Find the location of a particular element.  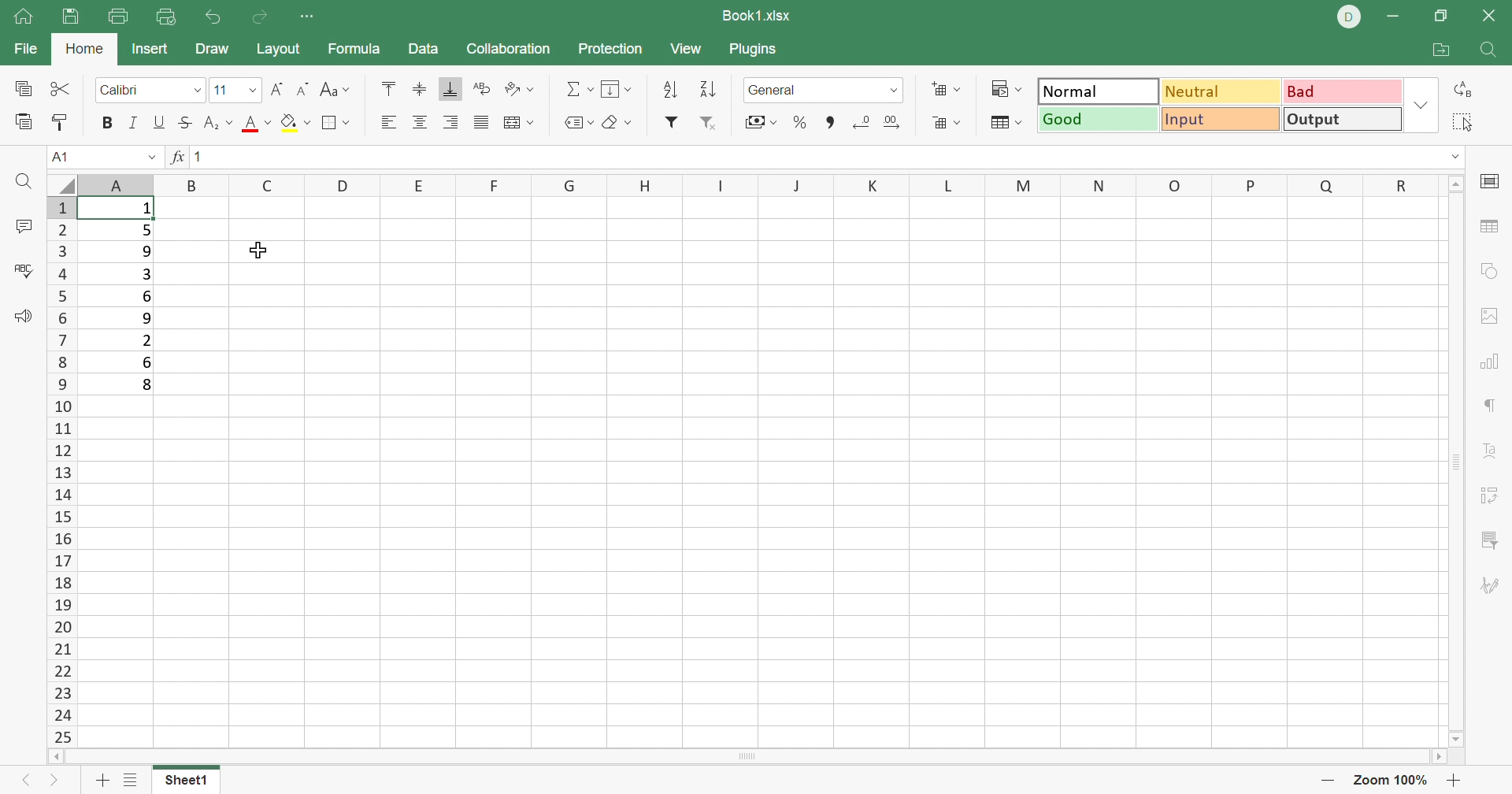

Drop Down is located at coordinates (1421, 106).